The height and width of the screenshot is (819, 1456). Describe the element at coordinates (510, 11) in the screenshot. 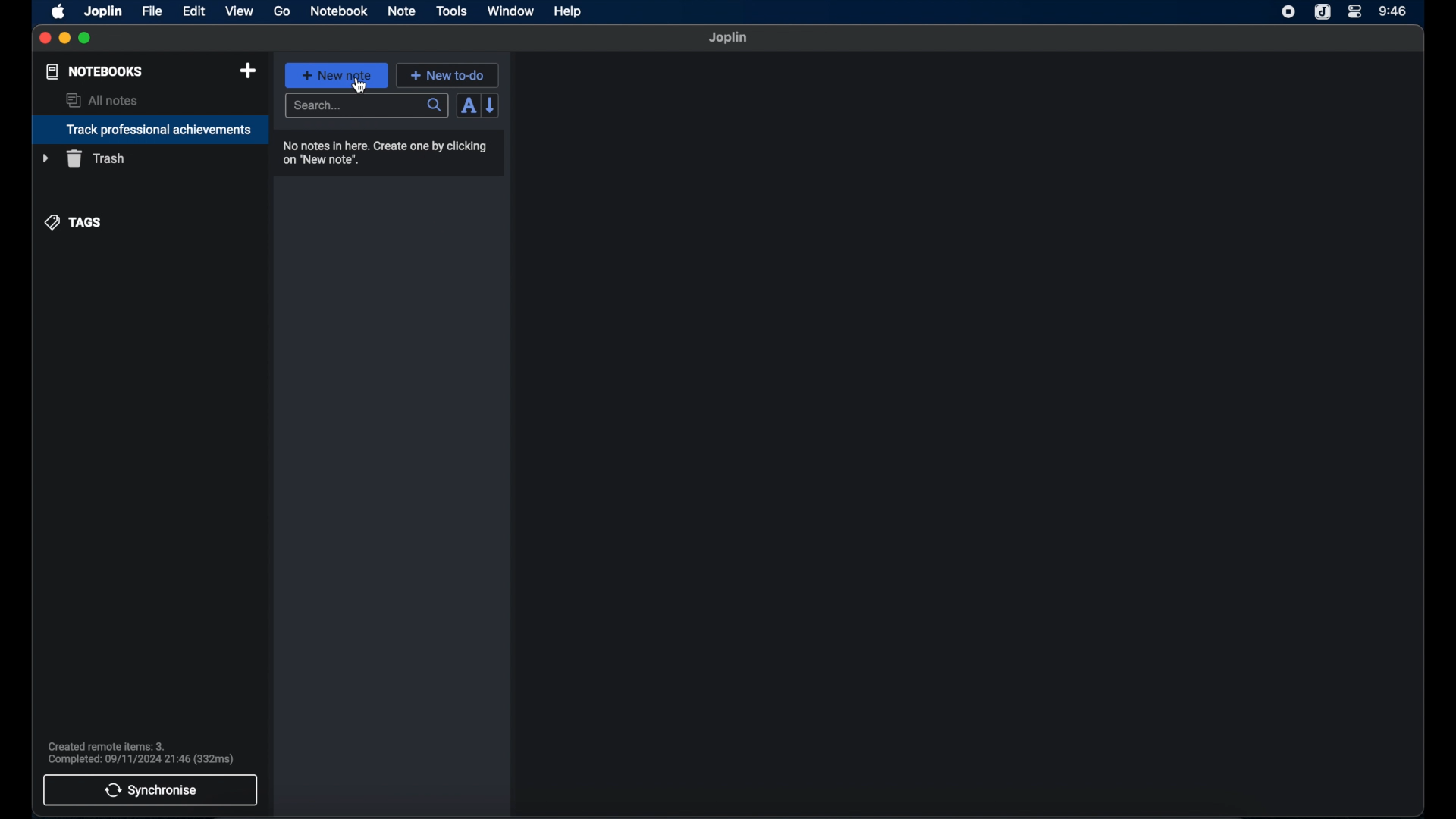

I see `window` at that location.